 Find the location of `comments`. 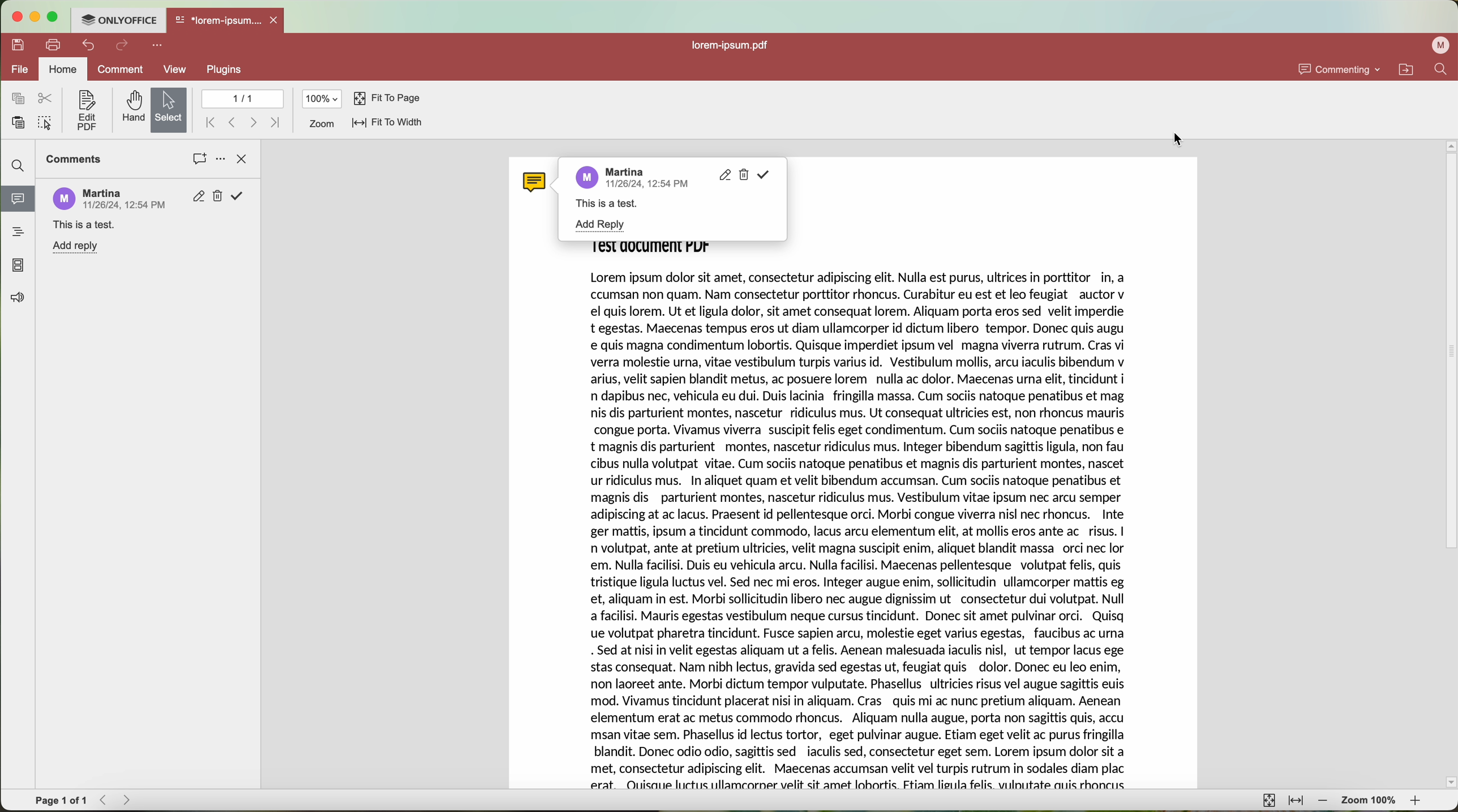

comments is located at coordinates (74, 159).